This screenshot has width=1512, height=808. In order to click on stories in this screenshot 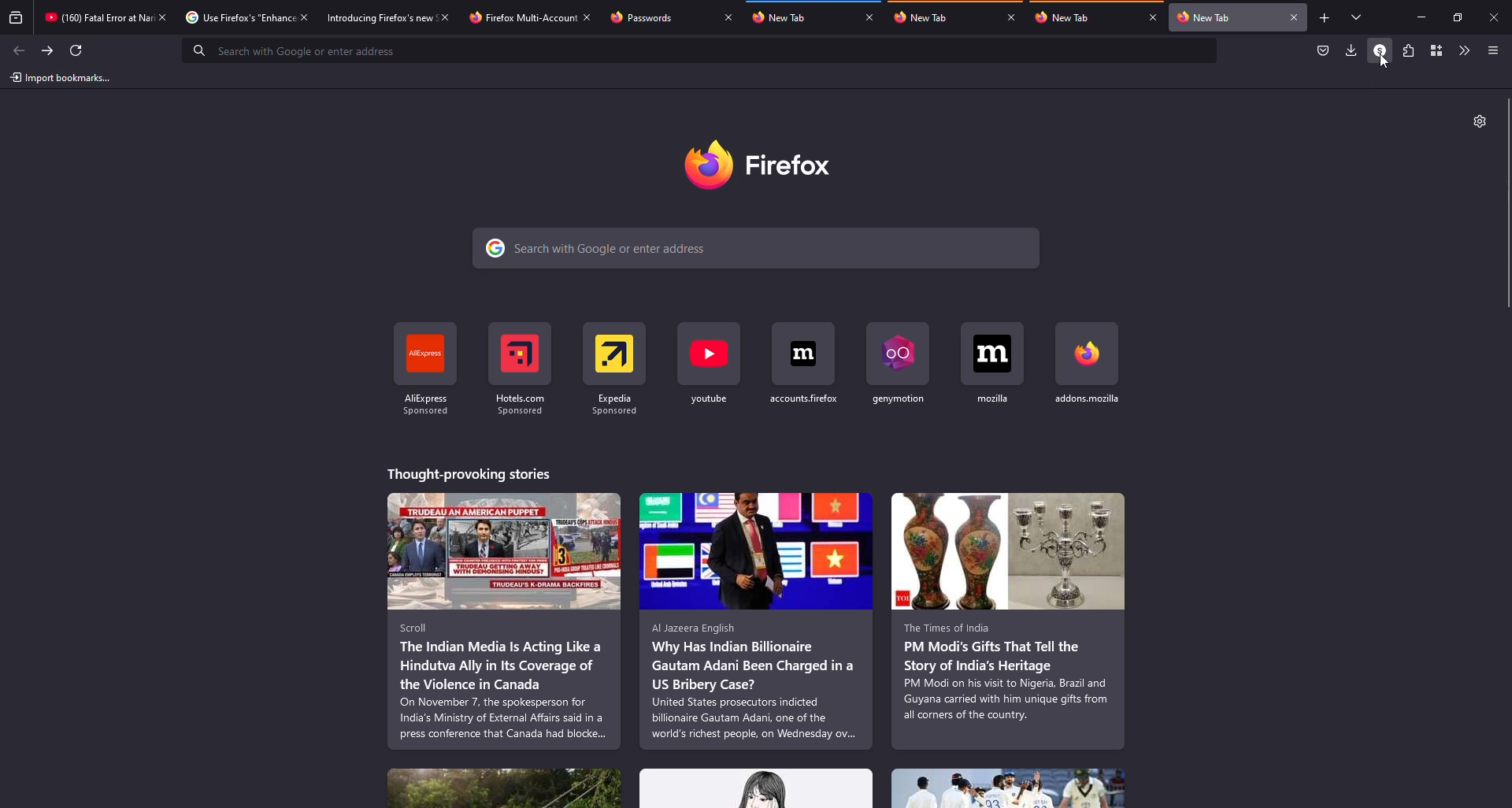, I will do `click(479, 473)`.